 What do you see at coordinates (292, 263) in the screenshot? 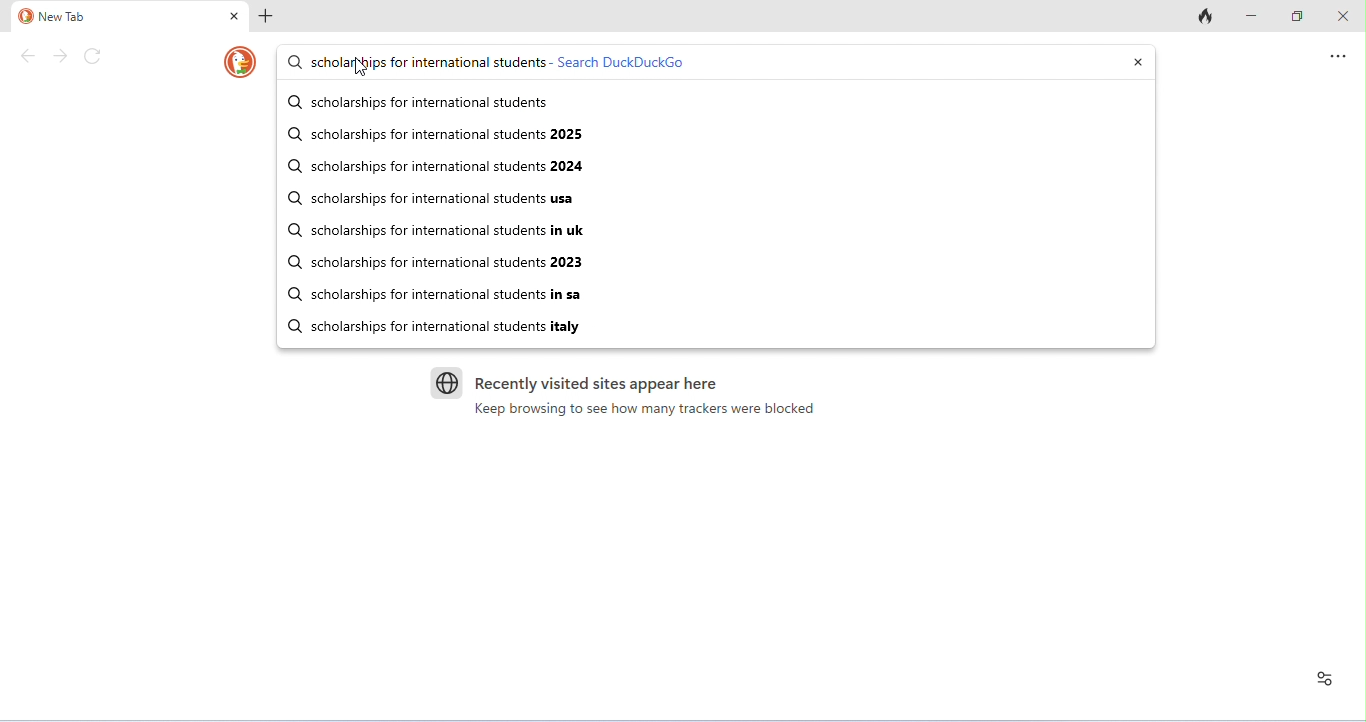
I see `search icon` at bounding box center [292, 263].